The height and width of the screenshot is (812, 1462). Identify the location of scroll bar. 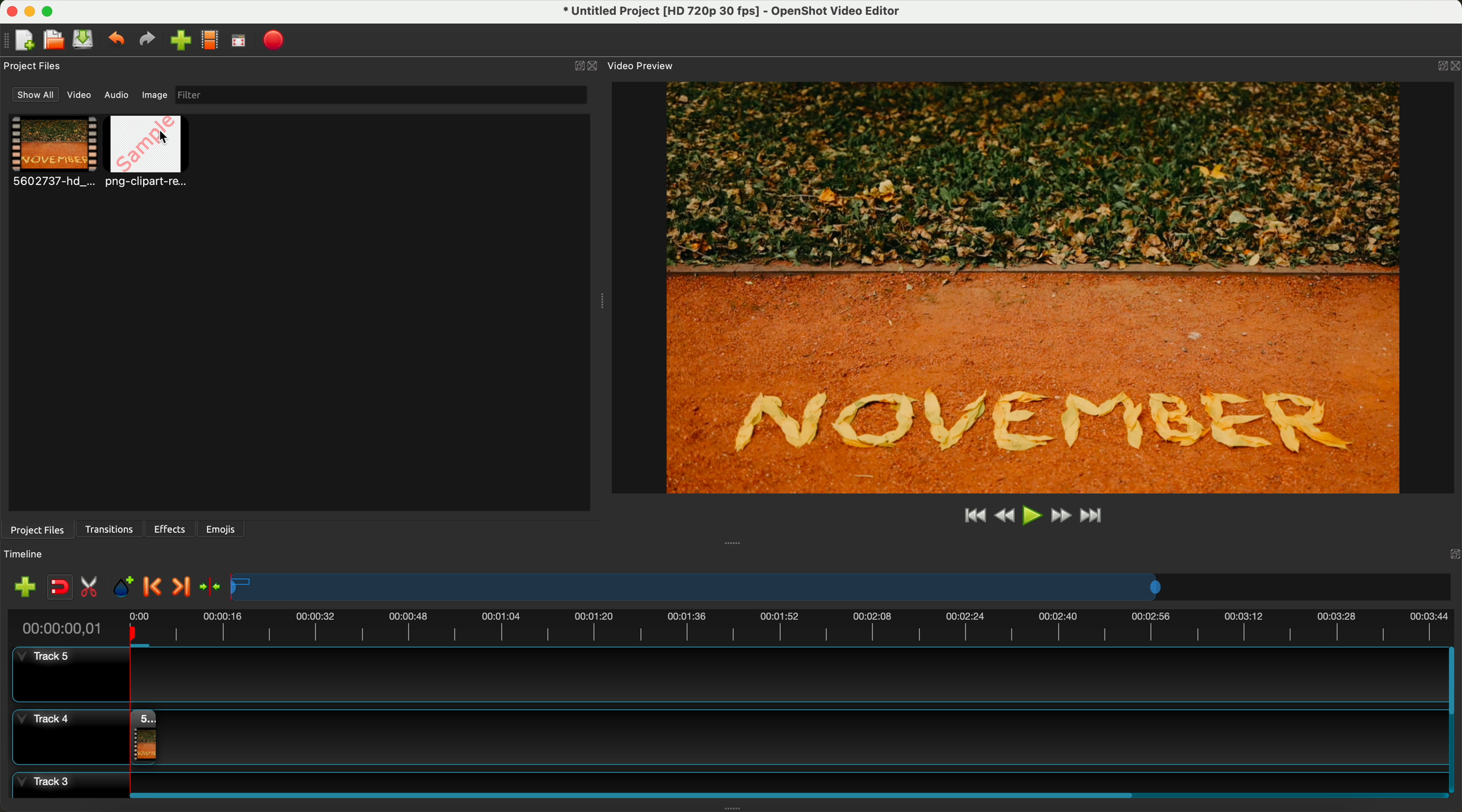
(783, 793).